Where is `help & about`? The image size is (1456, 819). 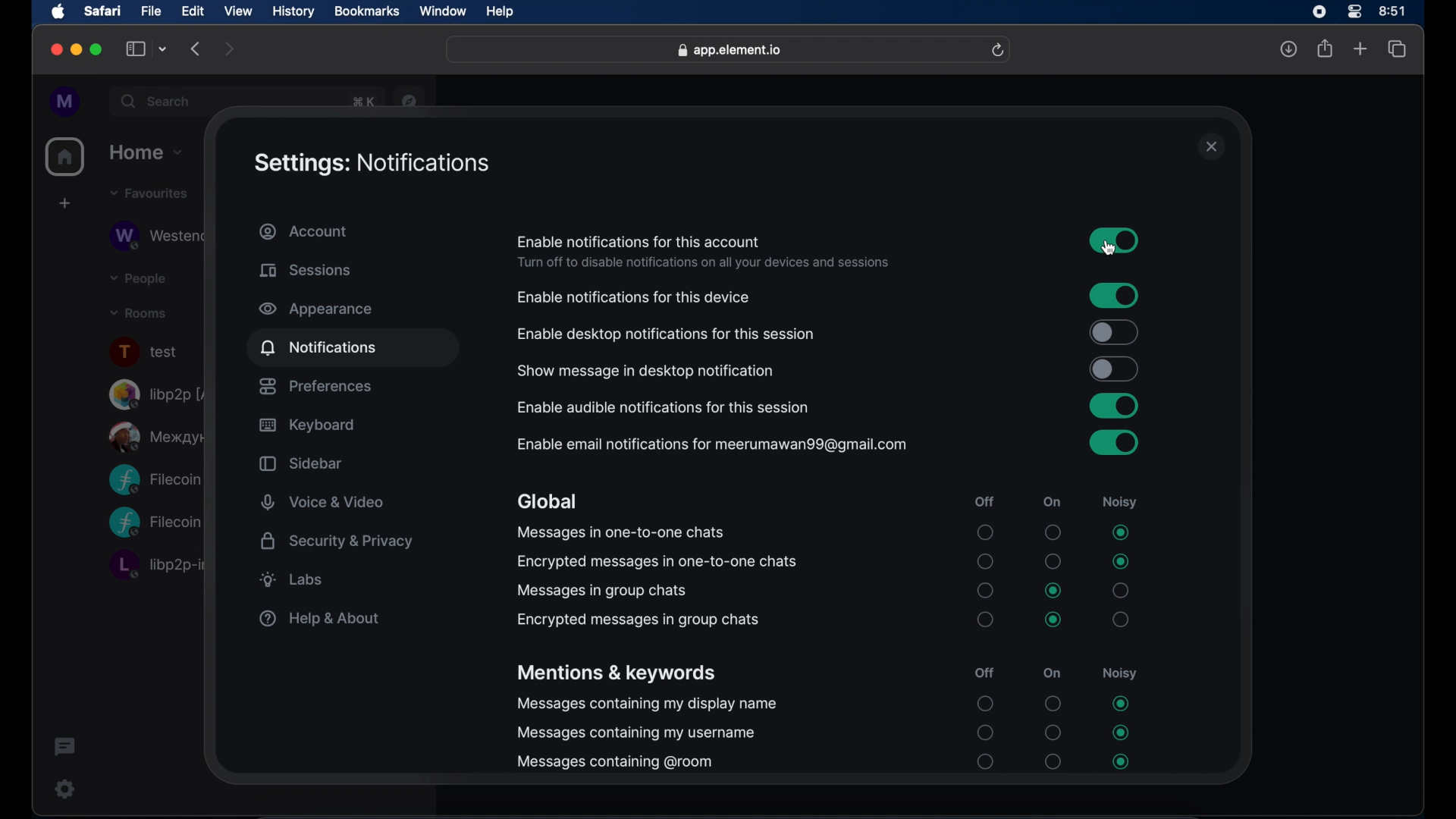 help & about is located at coordinates (315, 620).